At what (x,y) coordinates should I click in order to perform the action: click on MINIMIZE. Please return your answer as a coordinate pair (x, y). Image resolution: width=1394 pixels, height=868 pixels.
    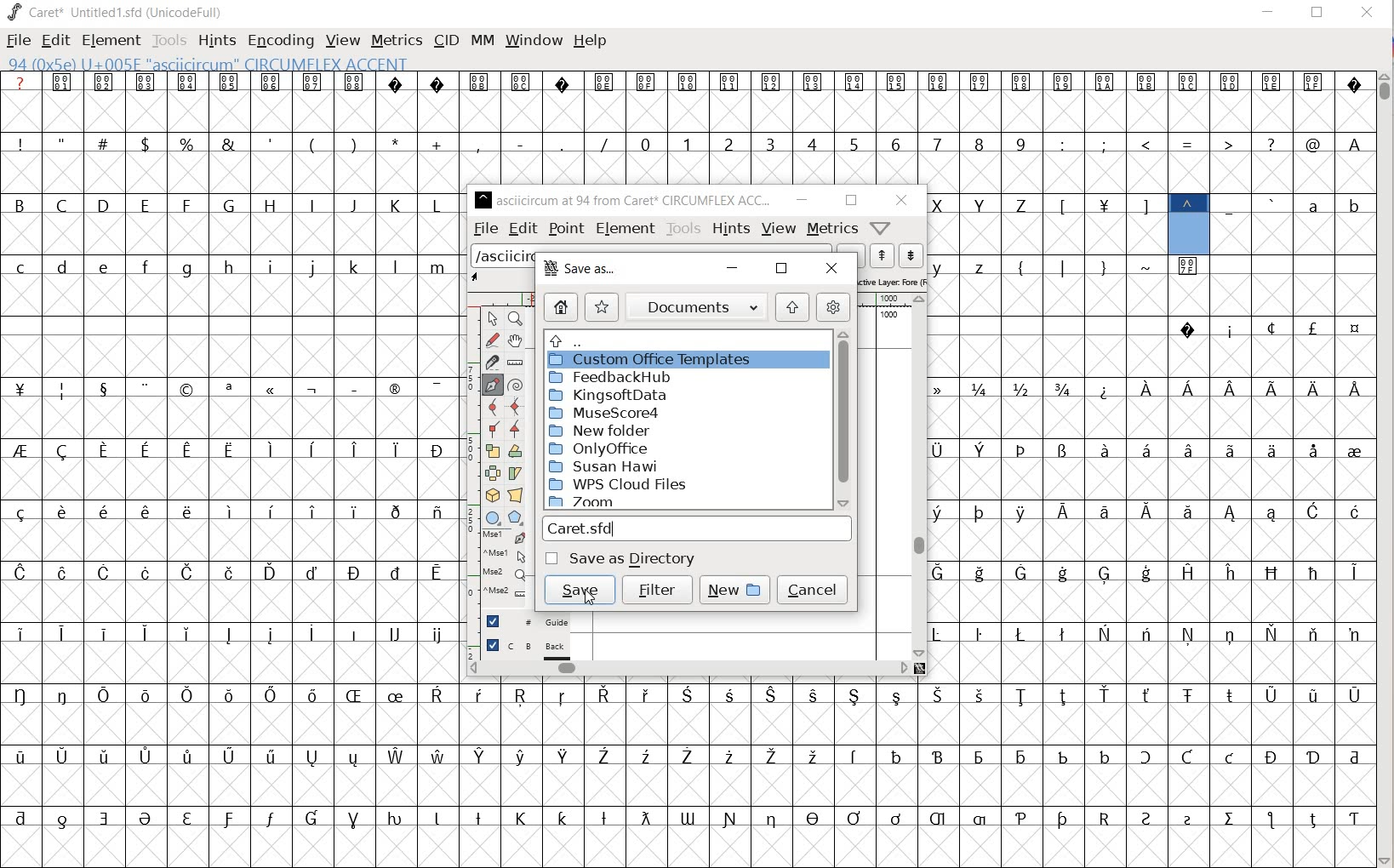
    Looking at the image, I should click on (1269, 11).